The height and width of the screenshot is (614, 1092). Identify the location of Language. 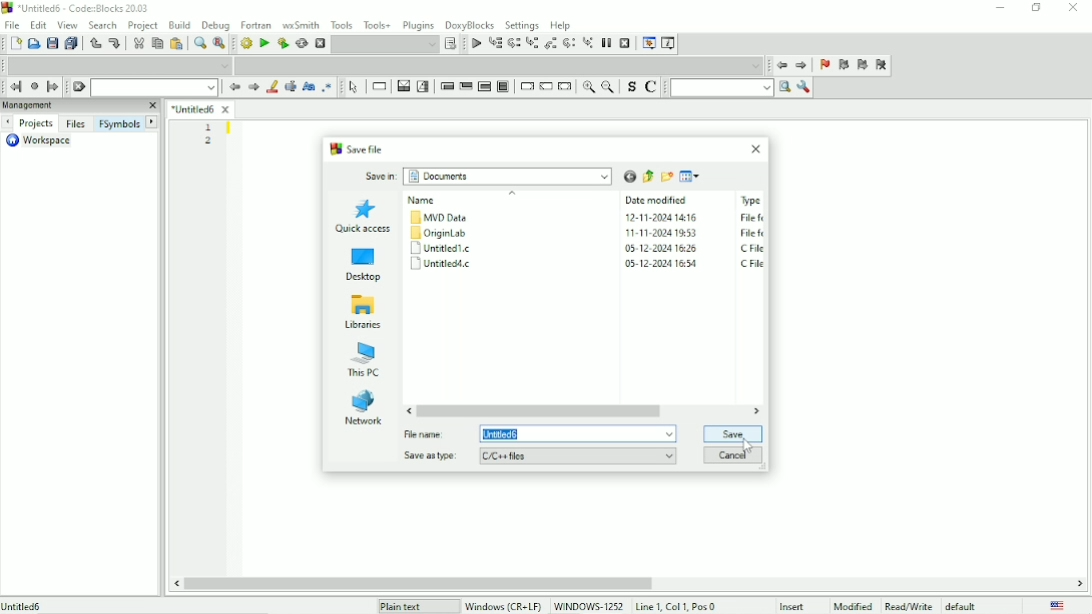
(1058, 605).